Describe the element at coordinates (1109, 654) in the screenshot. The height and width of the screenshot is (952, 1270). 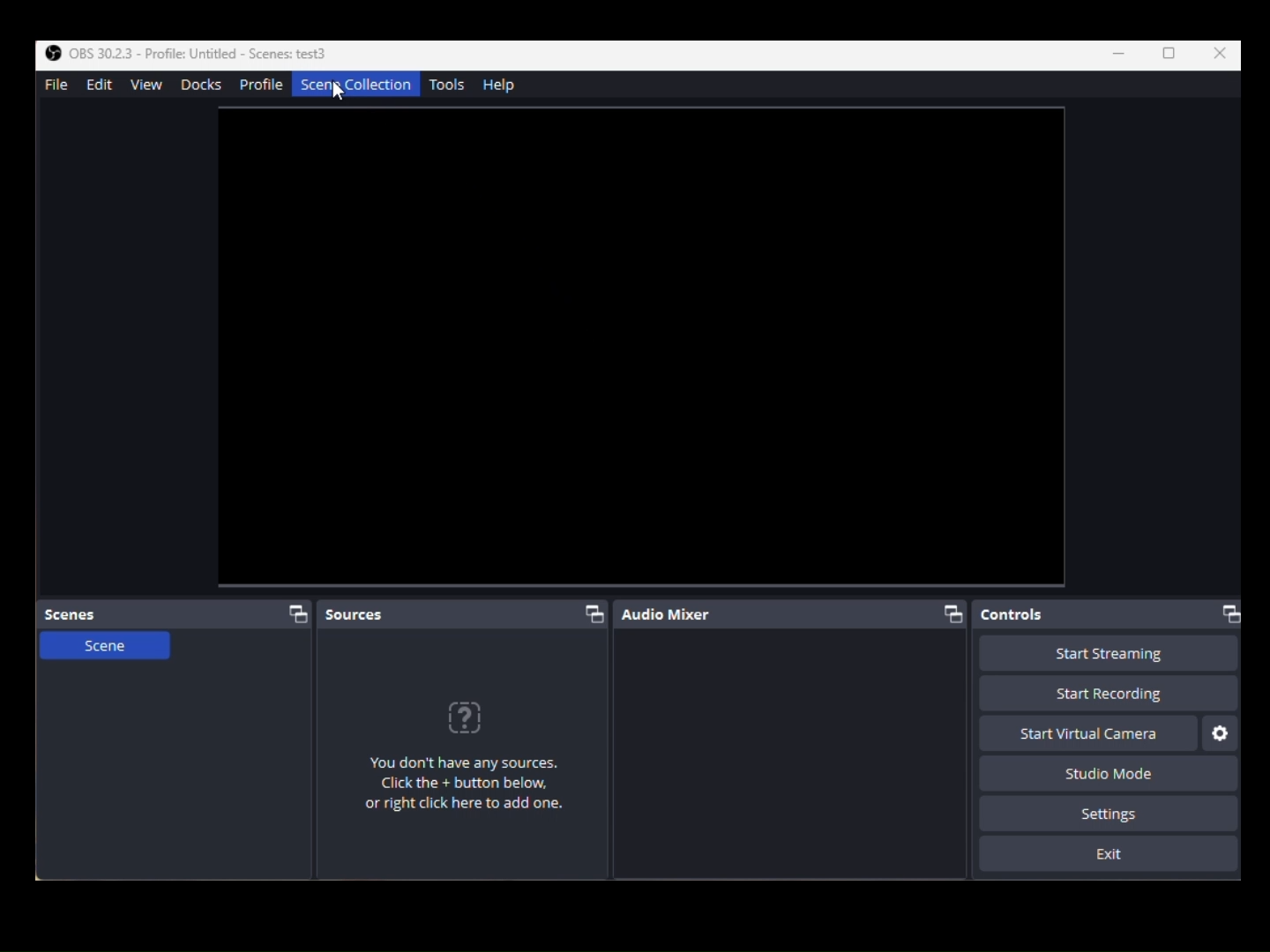
I see `Start Recording` at that location.